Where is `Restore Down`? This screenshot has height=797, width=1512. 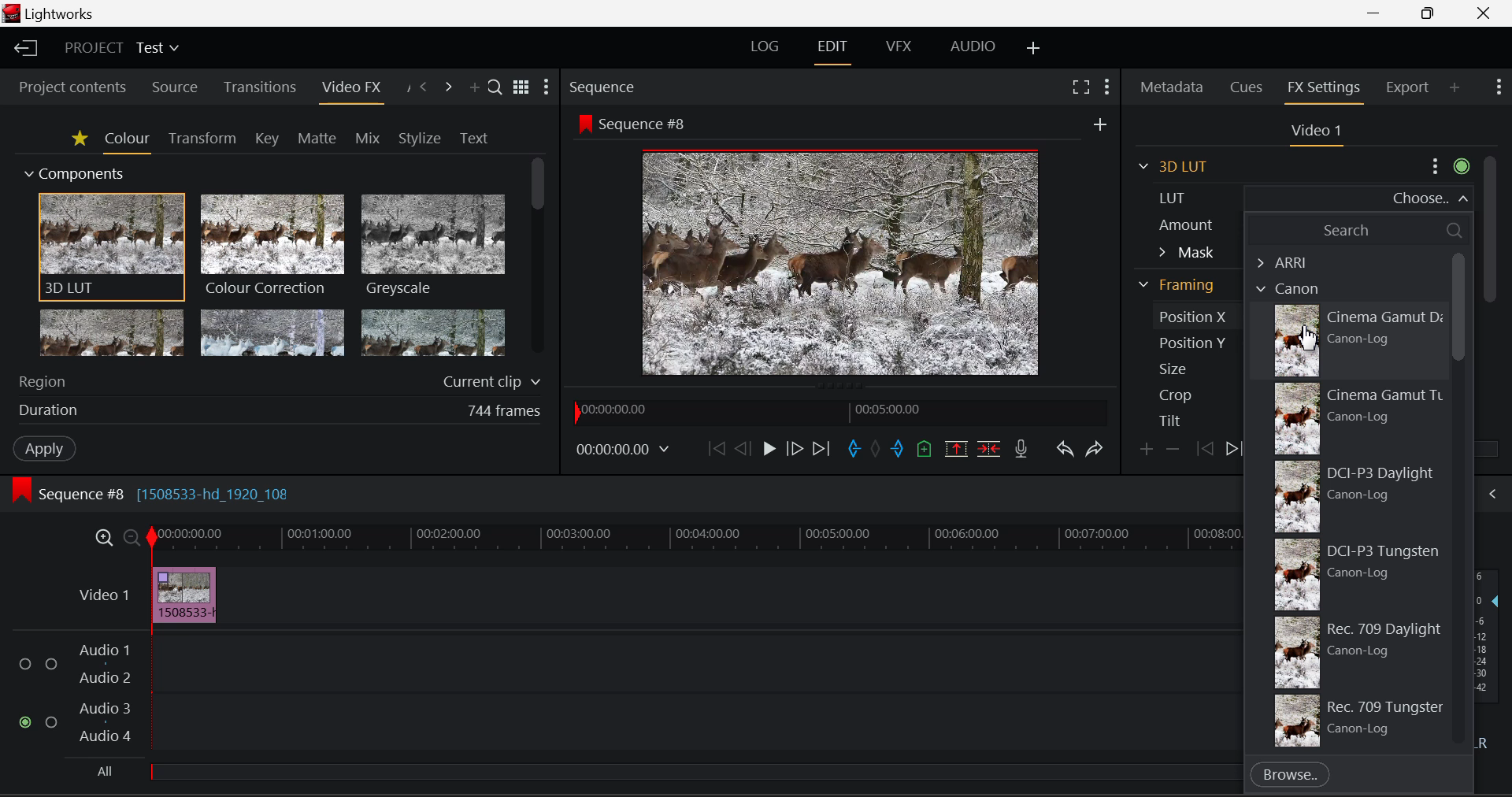 Restore Down is located at coordinates (1376, 13).